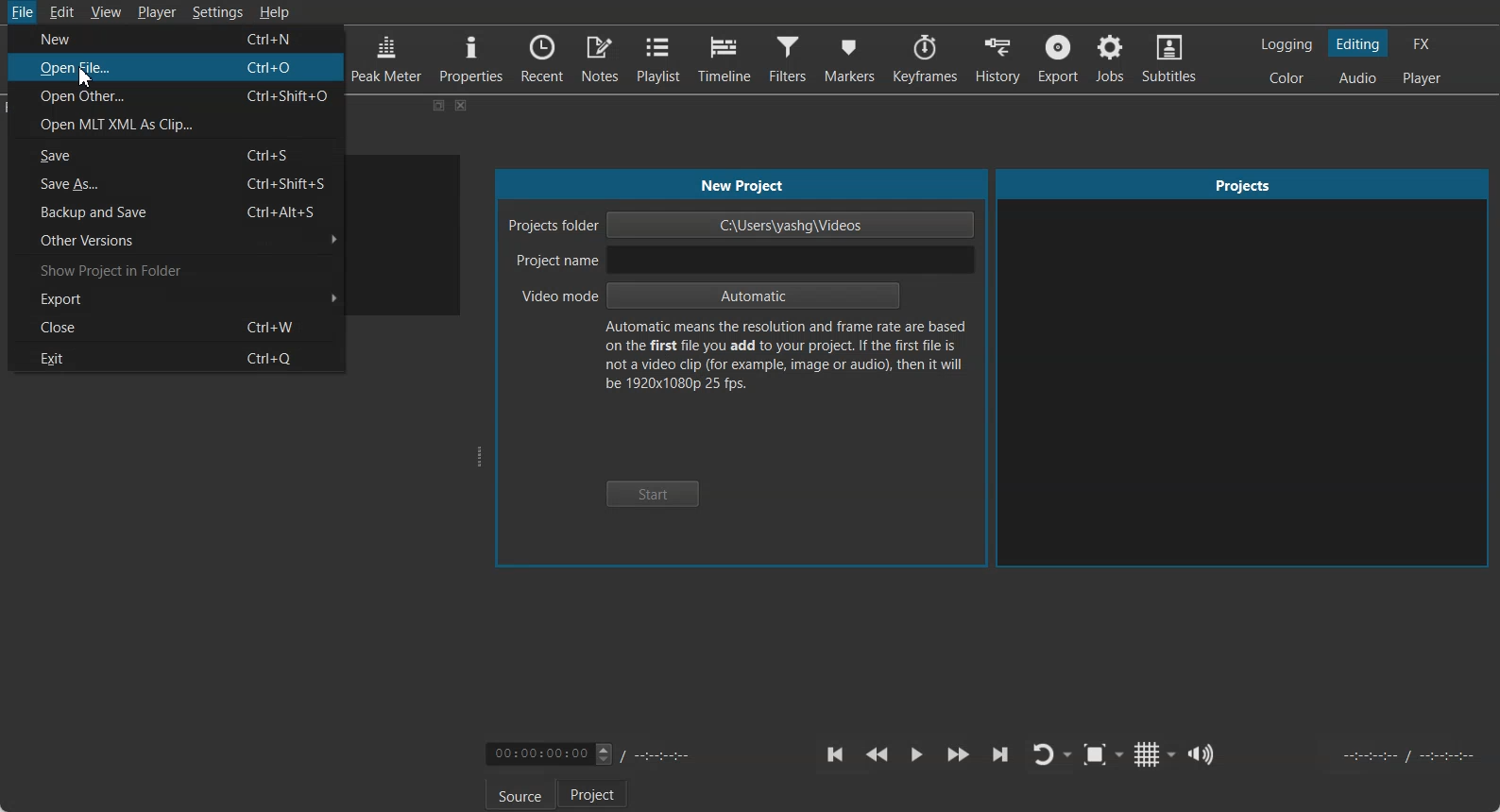 The image size is (1500, 812). I want to click on Ctrl+Shift+S, so click(290, 183).